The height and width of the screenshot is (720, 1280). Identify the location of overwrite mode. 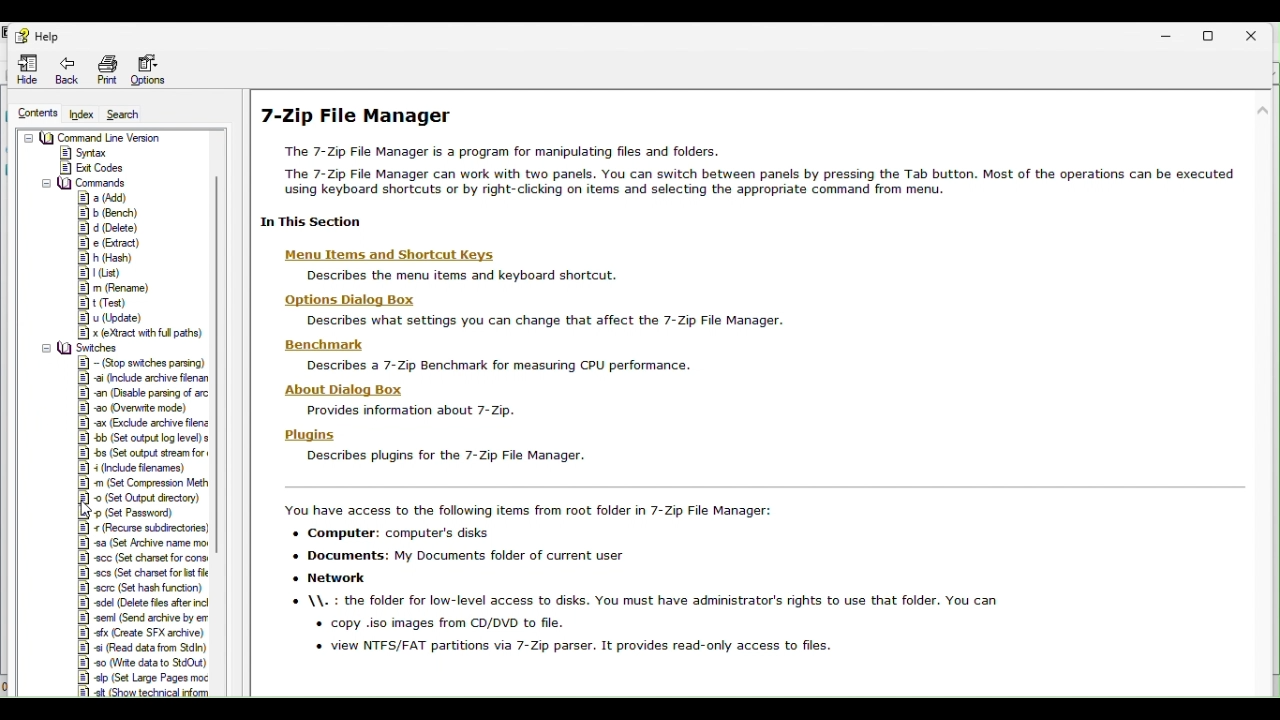
(135, 409).